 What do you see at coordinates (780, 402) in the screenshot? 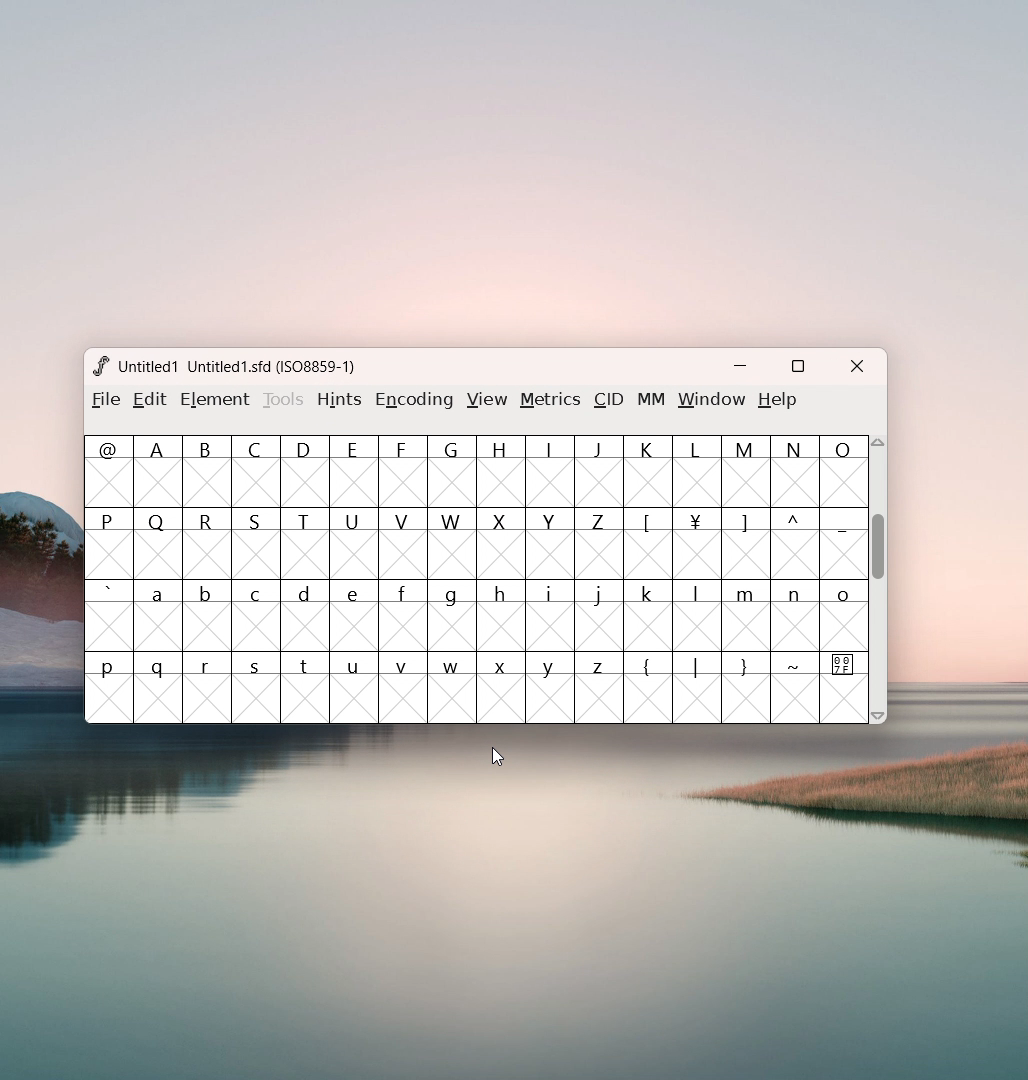
I see `help` at bounding box center [780, 402].